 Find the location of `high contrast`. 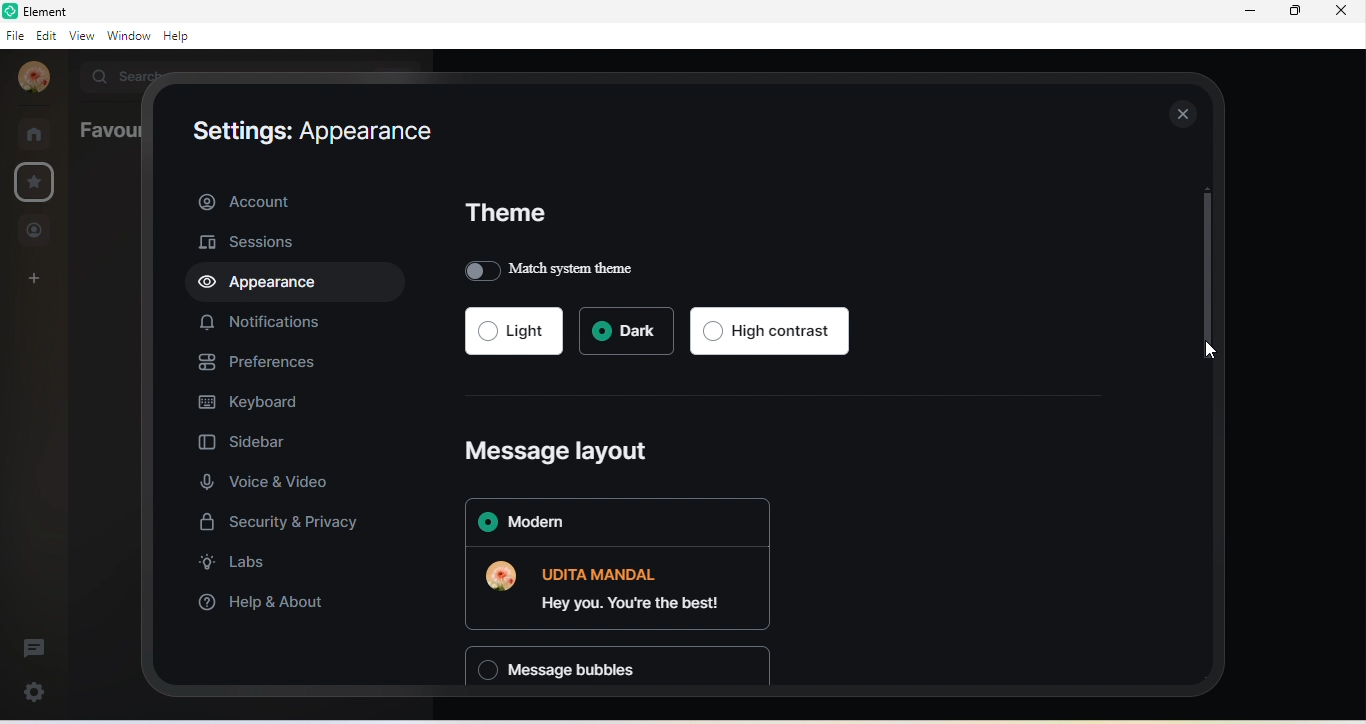

high contrast is located at coordinates (771, 330).